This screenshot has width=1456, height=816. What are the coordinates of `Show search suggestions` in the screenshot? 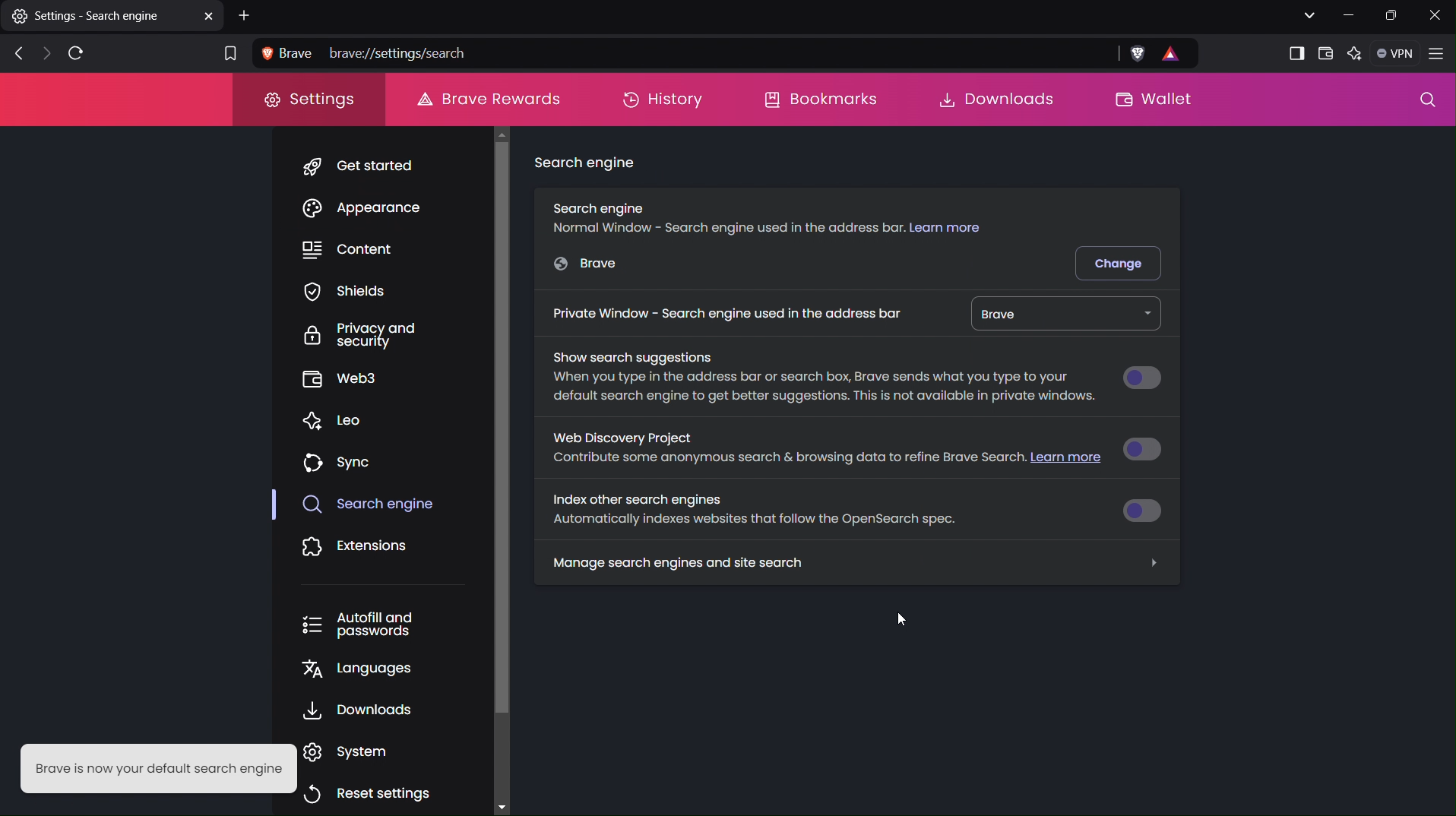 It's located at (818, 378).